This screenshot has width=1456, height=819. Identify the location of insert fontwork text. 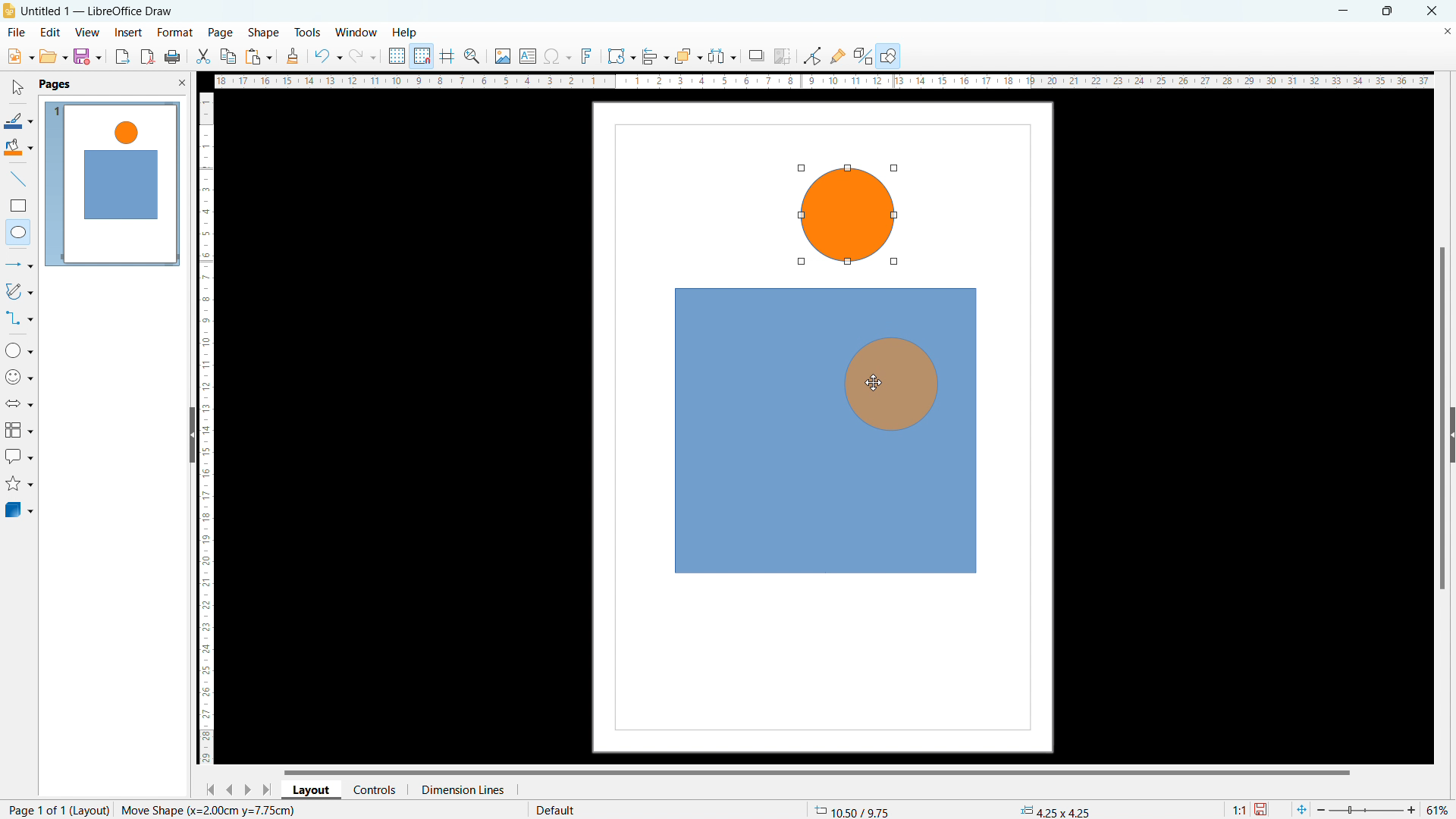
(587, 55).